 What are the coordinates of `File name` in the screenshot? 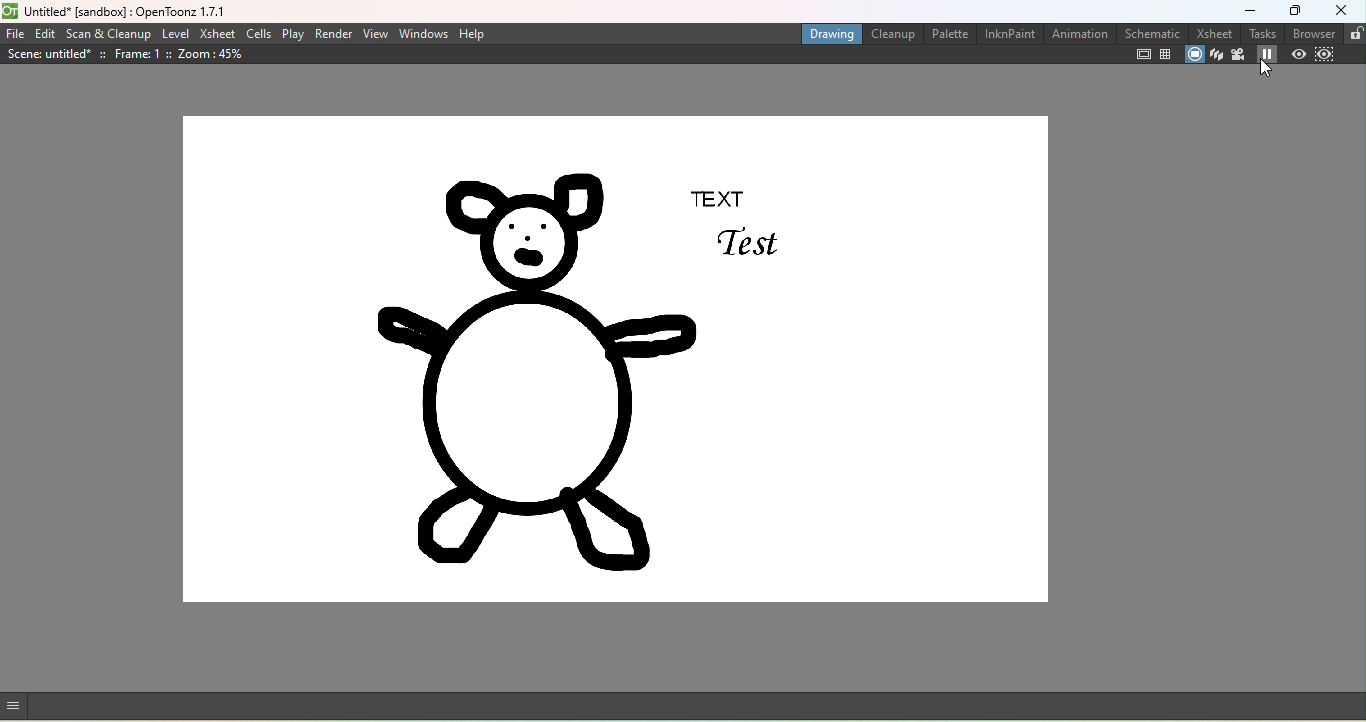 It's located at (115, 11).